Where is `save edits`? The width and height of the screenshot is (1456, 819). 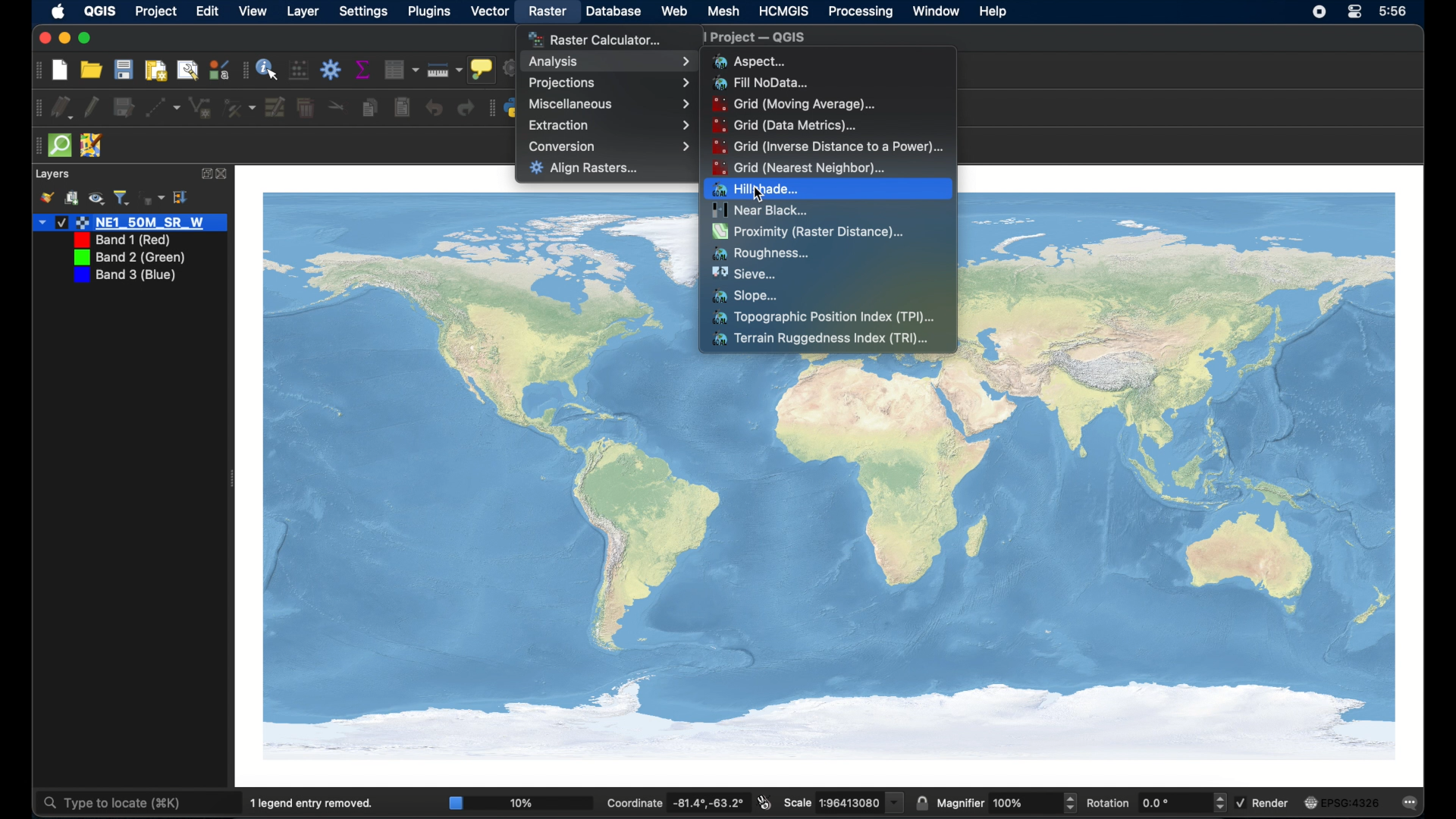
save edits is located at coordinates (124, 108).